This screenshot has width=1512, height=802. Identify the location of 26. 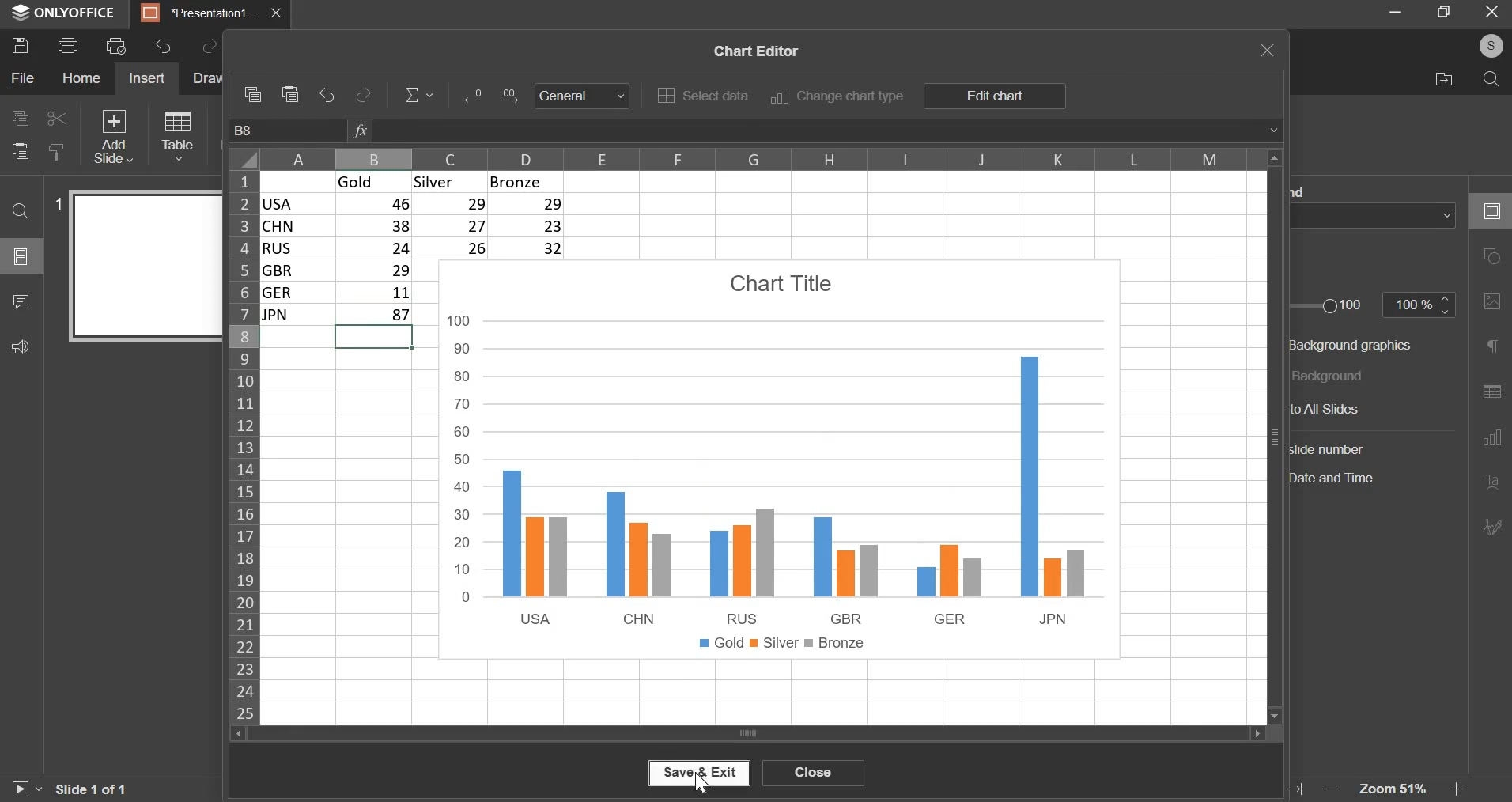
(455, 248).